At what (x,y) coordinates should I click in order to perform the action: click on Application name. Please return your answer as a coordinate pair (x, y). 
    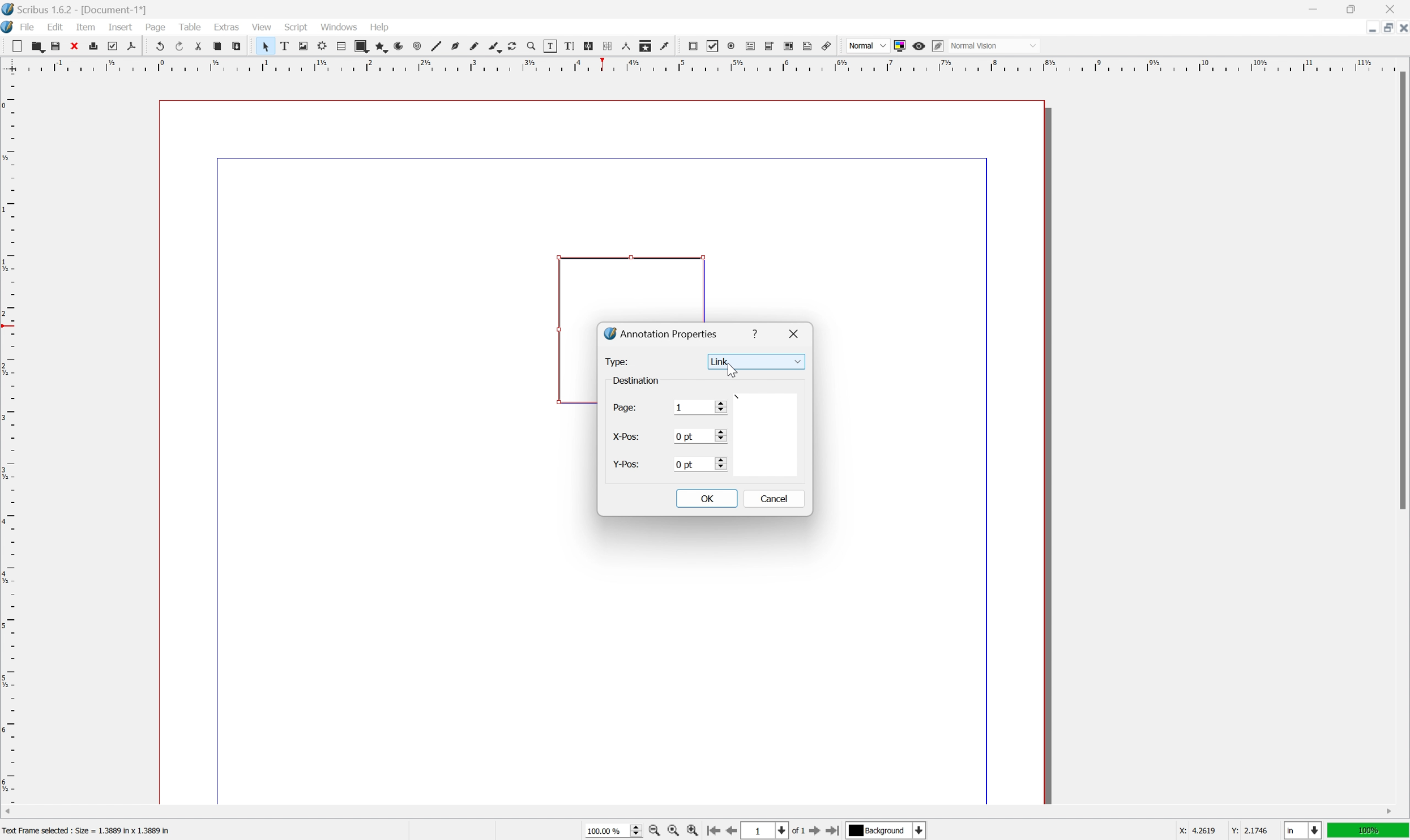
    Looking at the image, I should click on (75, 9).